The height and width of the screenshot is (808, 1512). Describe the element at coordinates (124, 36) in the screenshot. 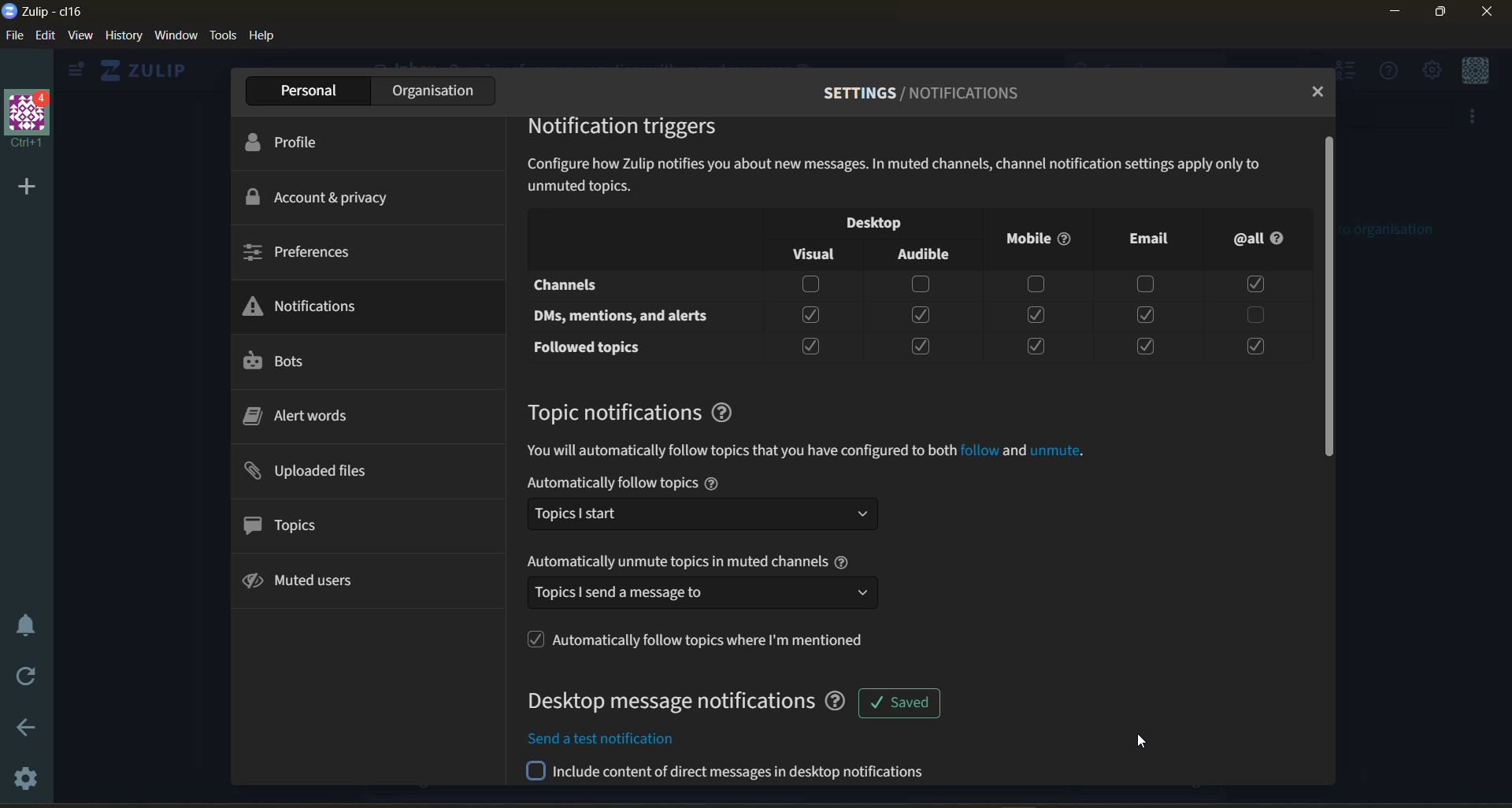

I see `history` at that location.